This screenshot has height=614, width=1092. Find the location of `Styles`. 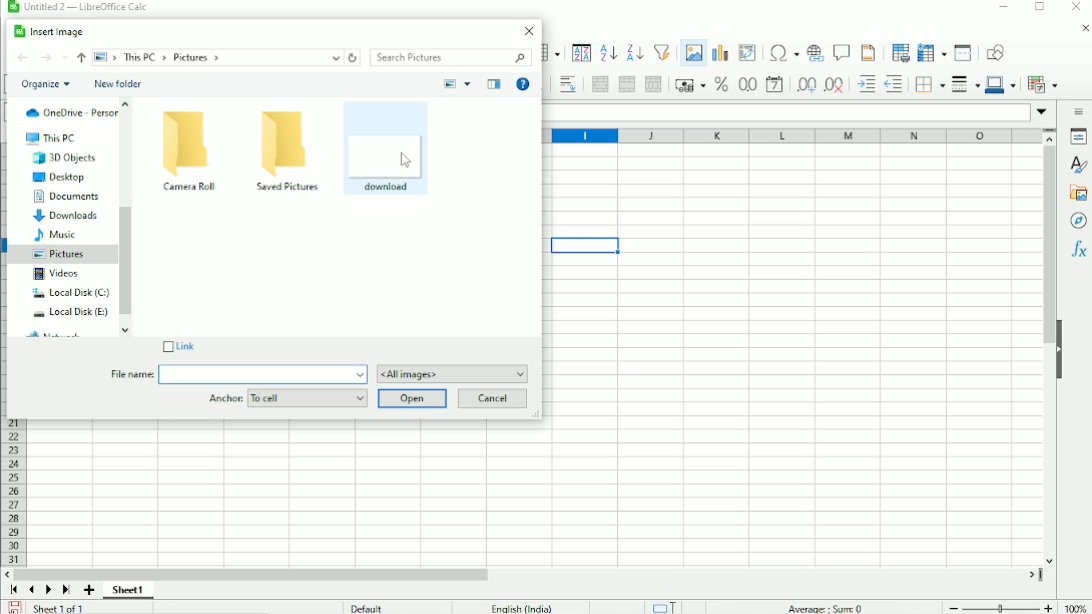

Styles is located at coordinates (1077, 165).